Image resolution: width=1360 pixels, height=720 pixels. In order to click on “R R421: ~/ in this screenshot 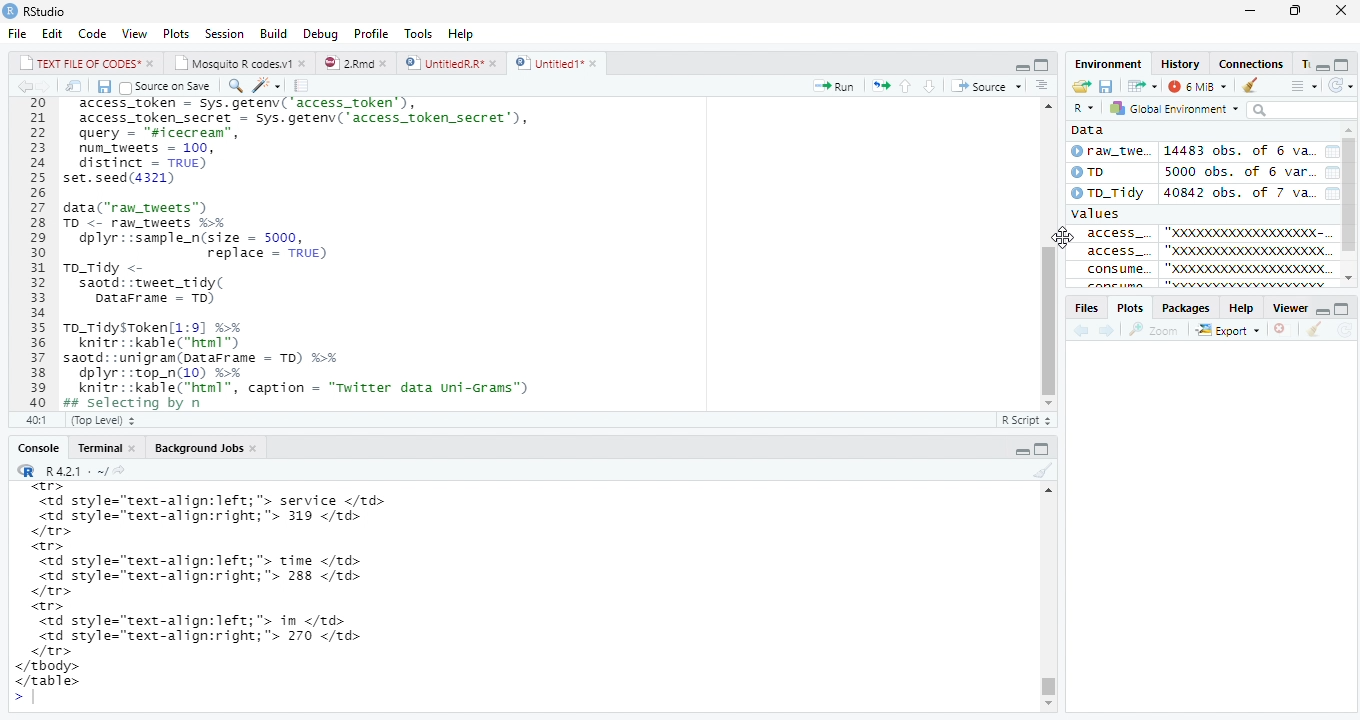, I will do `click(79, 469)`.